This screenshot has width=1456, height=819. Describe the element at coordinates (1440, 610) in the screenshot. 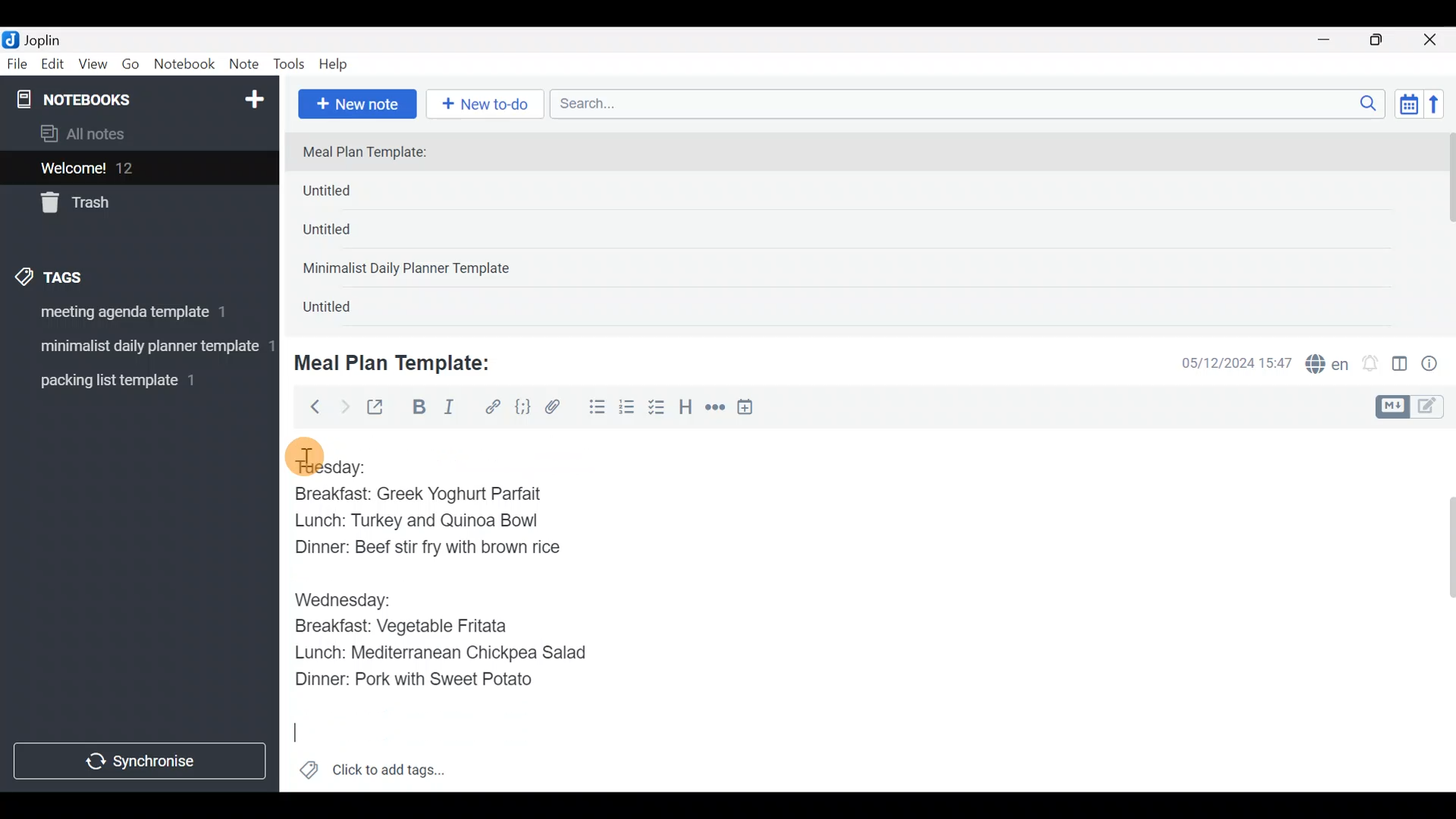

I see `Scroll bar` at that location.